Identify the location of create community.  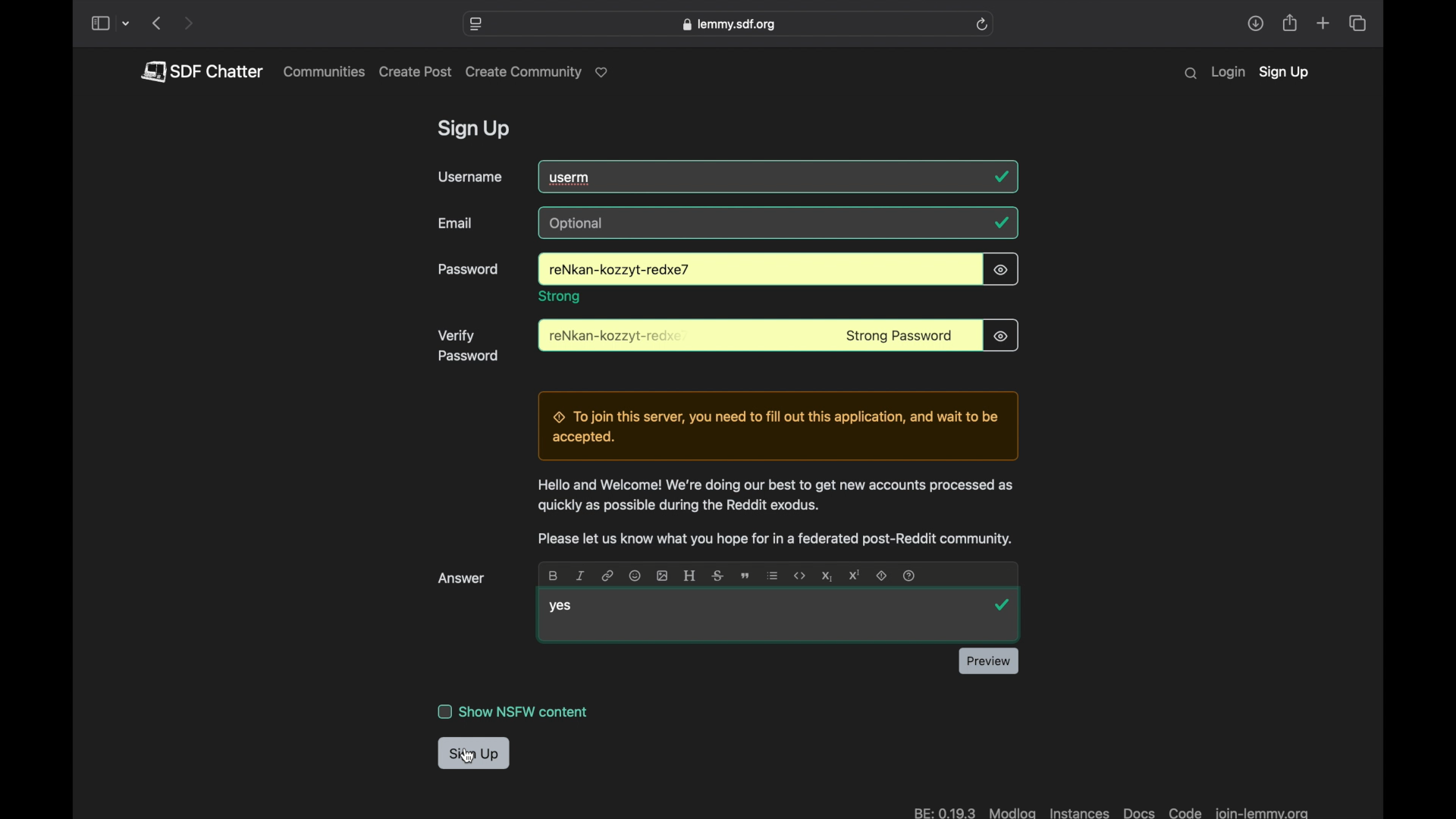
(540, 73).